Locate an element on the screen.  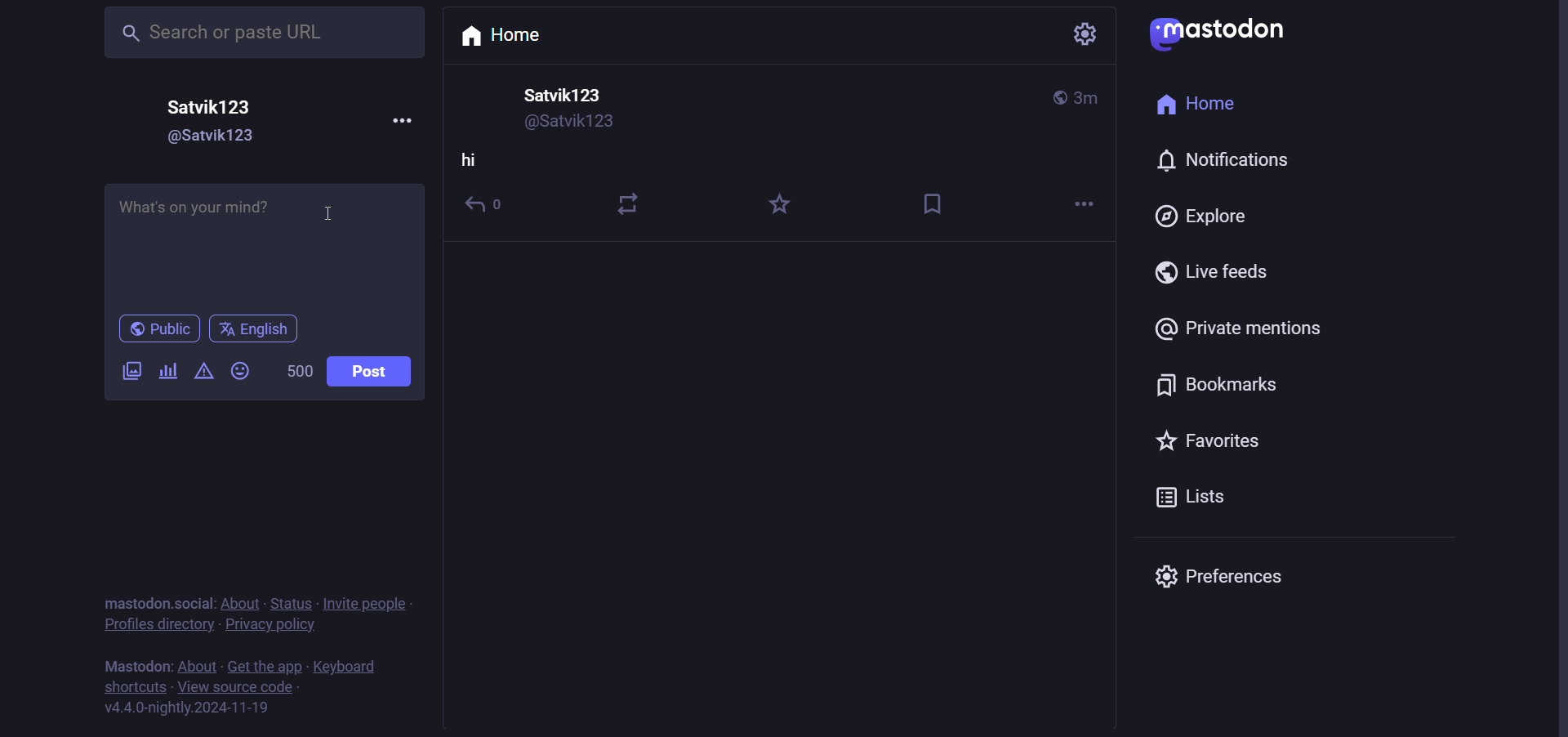
status is located at coordinates (291, 605).